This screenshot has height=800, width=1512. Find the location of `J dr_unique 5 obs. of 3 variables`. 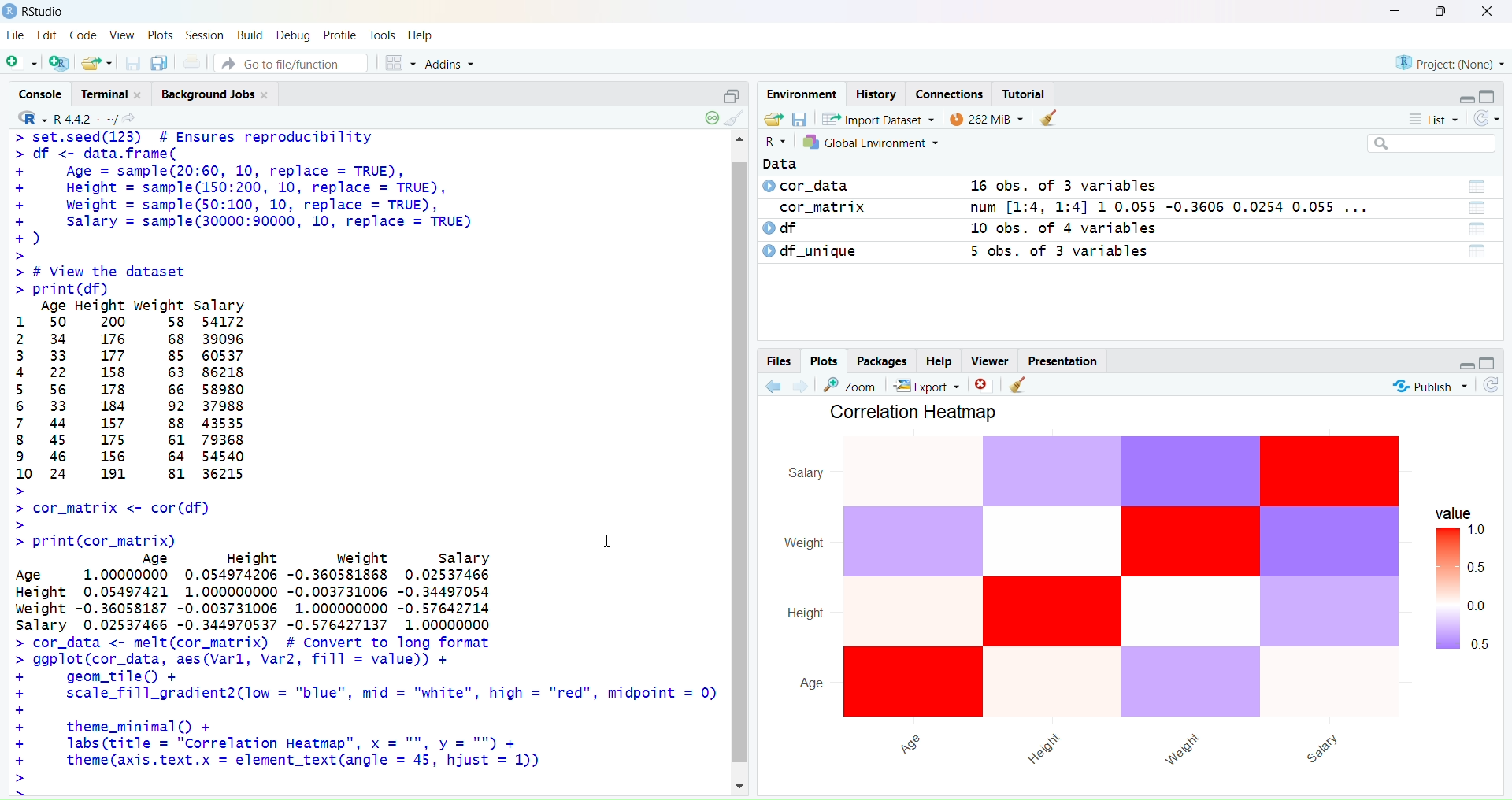

J dr_unique 5 obs. of 3 variables is located at coordinates (1072, 254).